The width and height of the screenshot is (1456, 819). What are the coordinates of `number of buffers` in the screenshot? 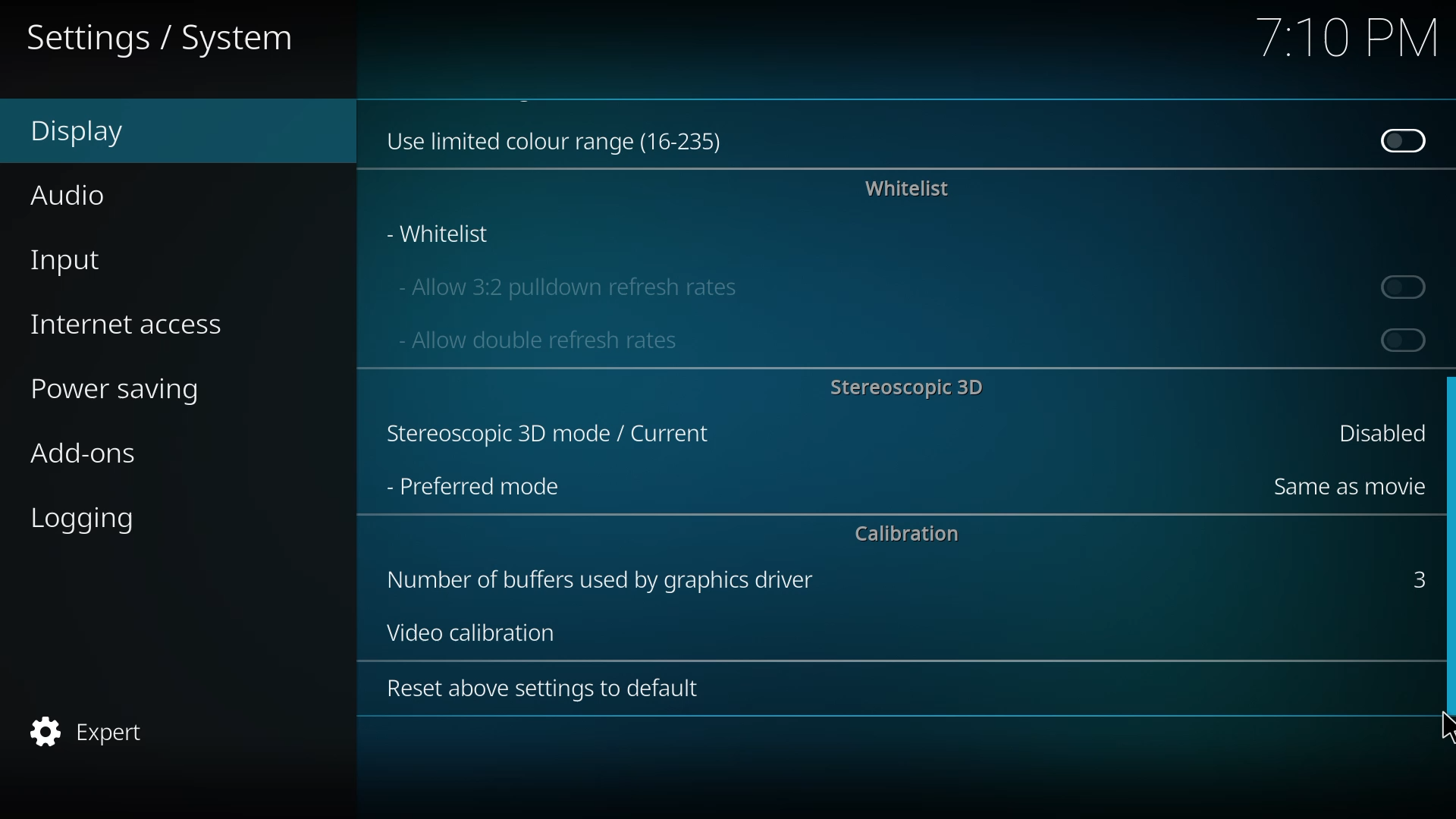 It's located at (596, 579).